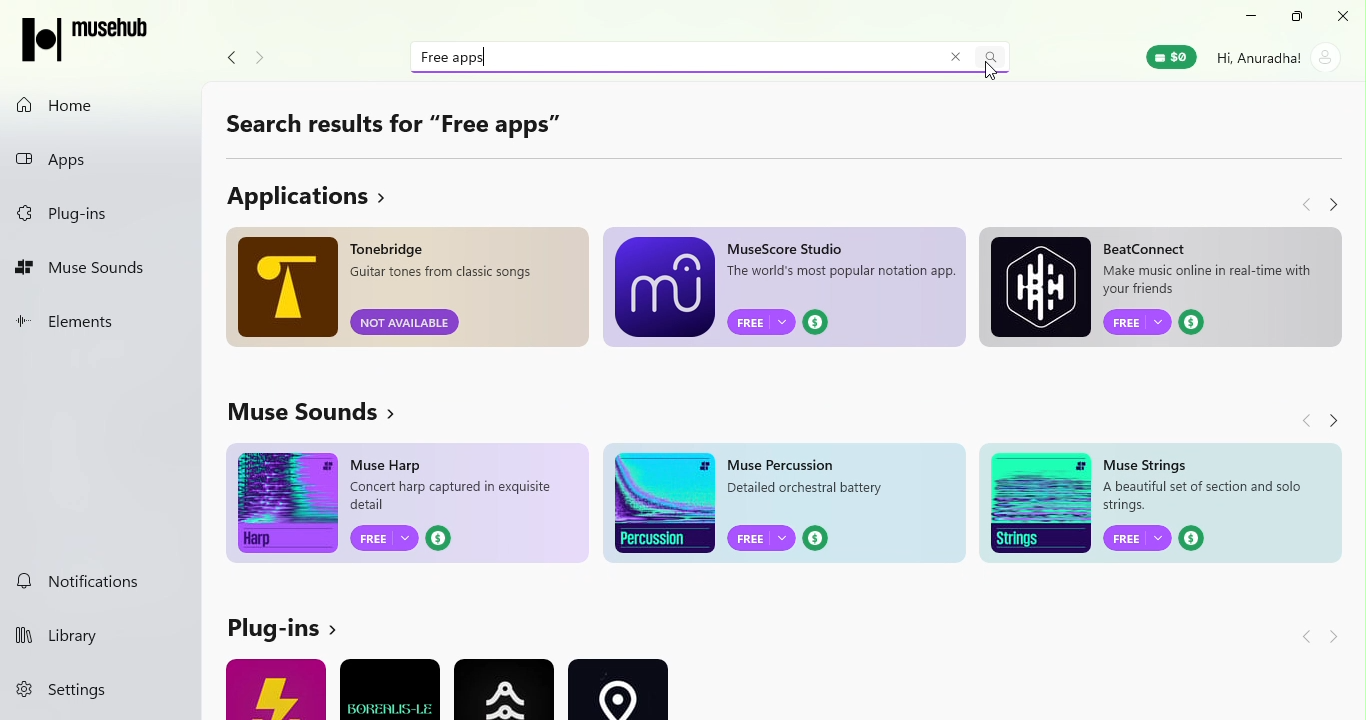 The height and width of the screenshot is (720, 1366). Describe the element at coordinates (271, 688) in the screenshot. I see `Ad` at that location.